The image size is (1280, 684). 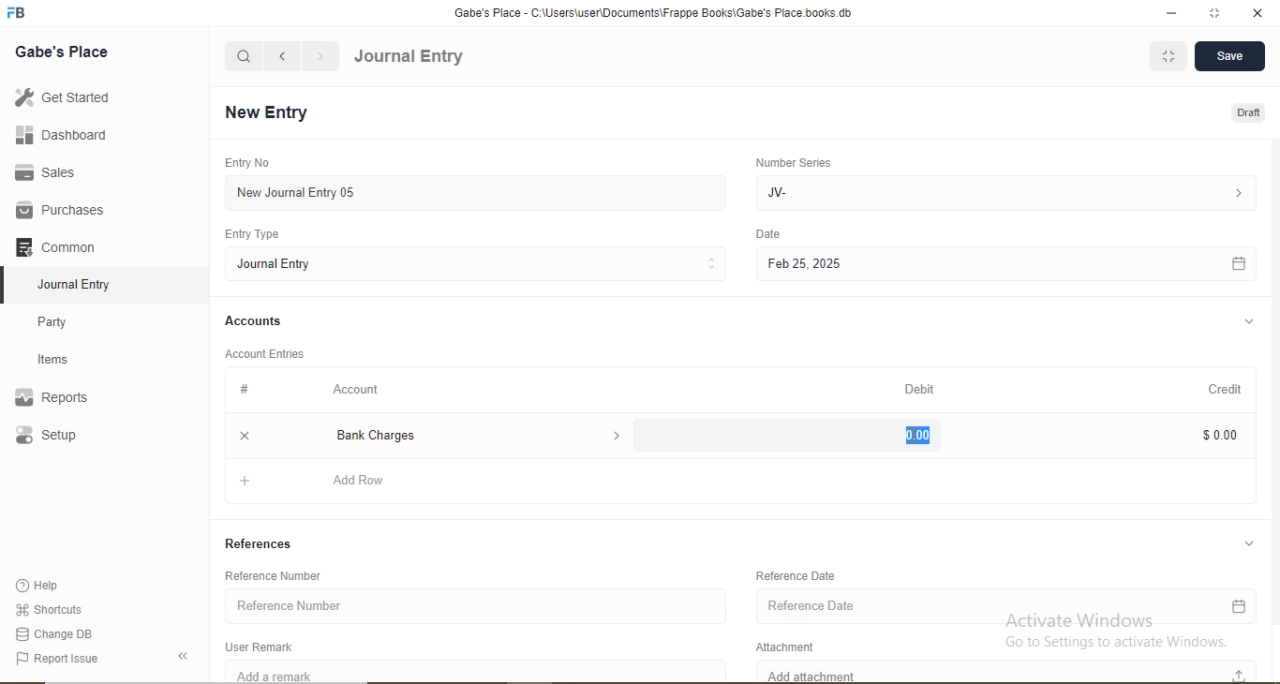 I want to click on Reference Number, so click(x=476, y=603).